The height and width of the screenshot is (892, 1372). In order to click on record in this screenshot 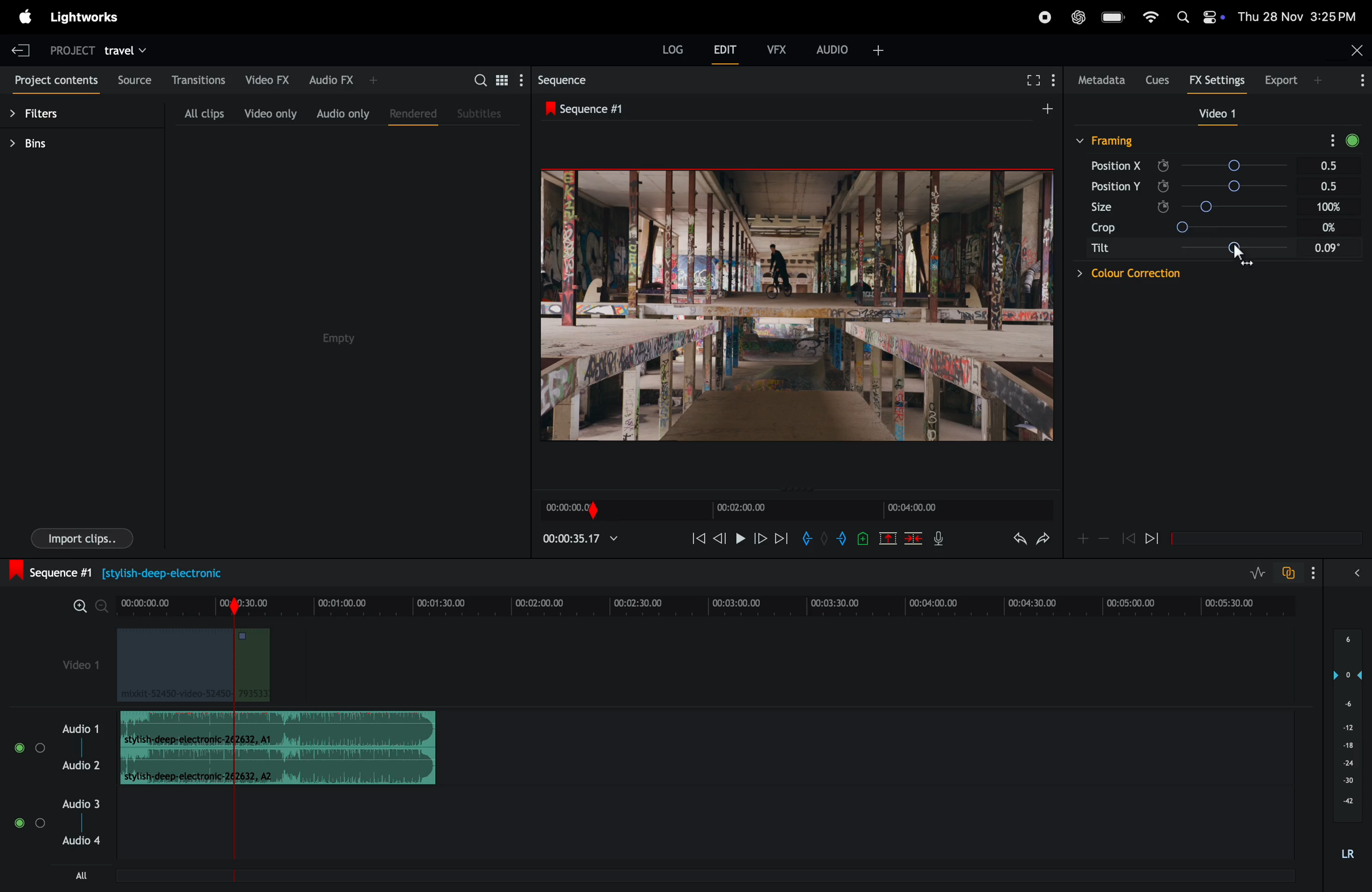, I will do `click(1045, 16)`.